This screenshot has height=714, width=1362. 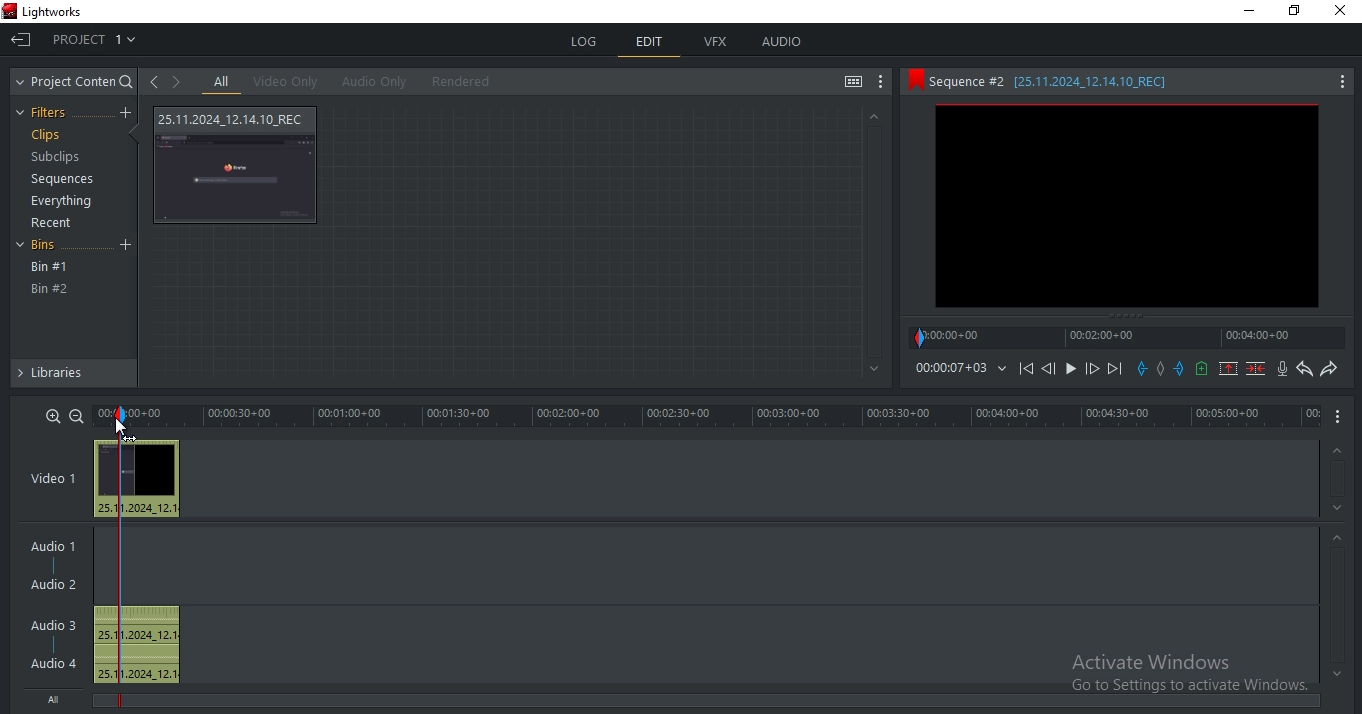 I want to click on log, so click(x=586, y=42).